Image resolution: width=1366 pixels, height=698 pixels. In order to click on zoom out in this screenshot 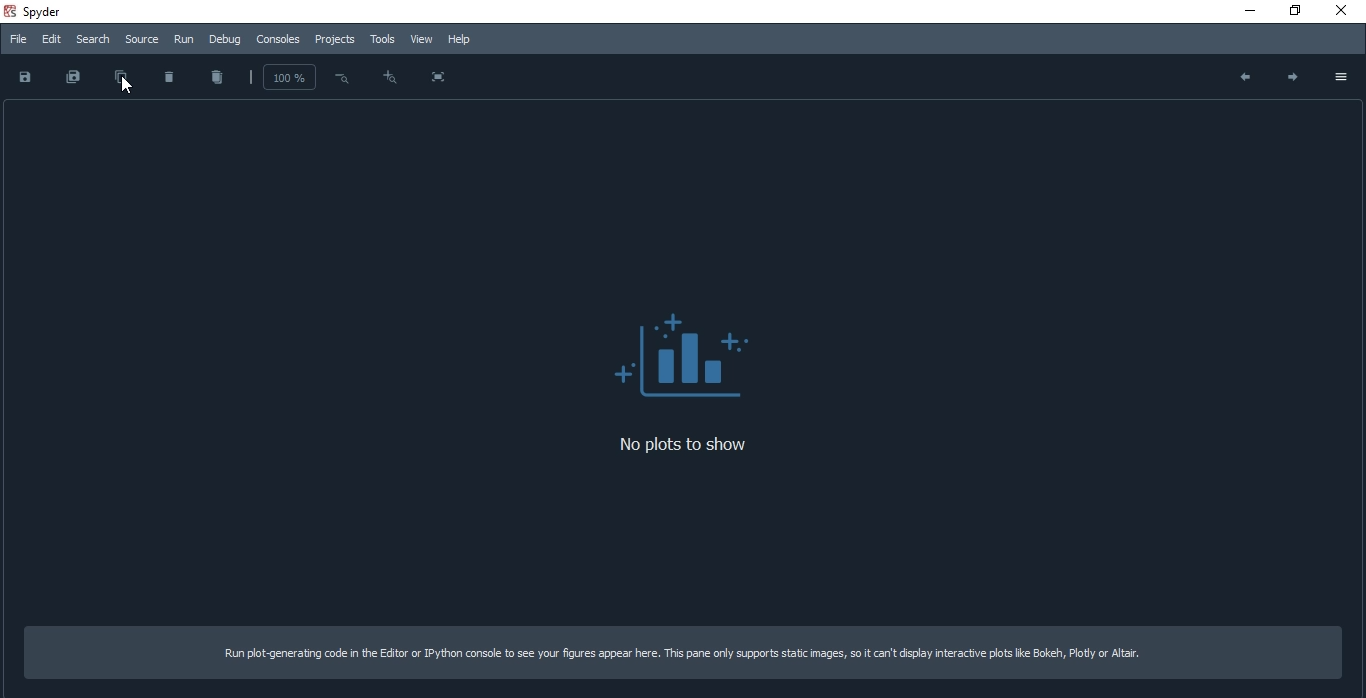, I will do `click(340, 77)`.